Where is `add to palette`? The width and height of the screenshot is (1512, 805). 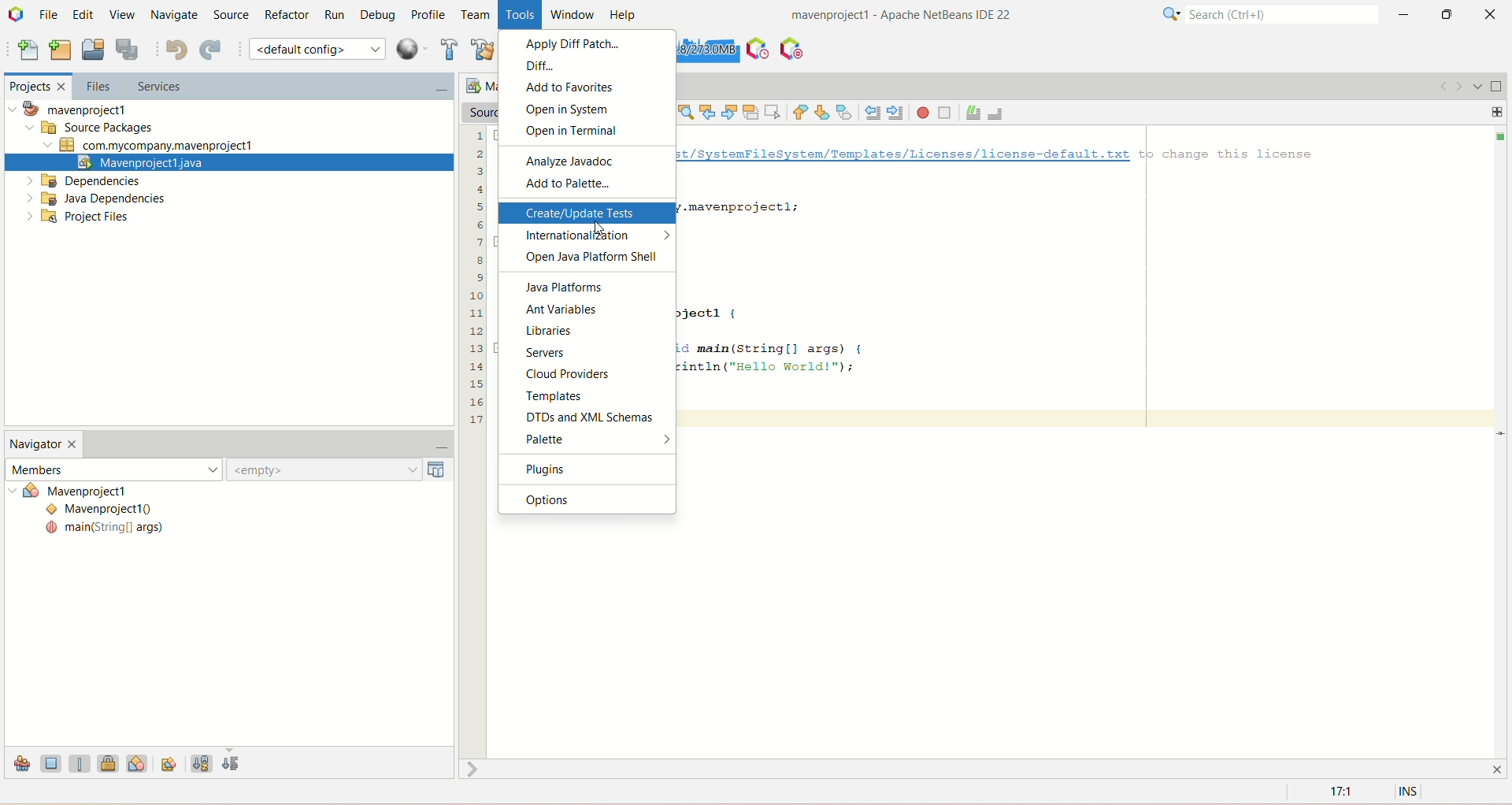 add to palette is located at coordinates (590, 185).